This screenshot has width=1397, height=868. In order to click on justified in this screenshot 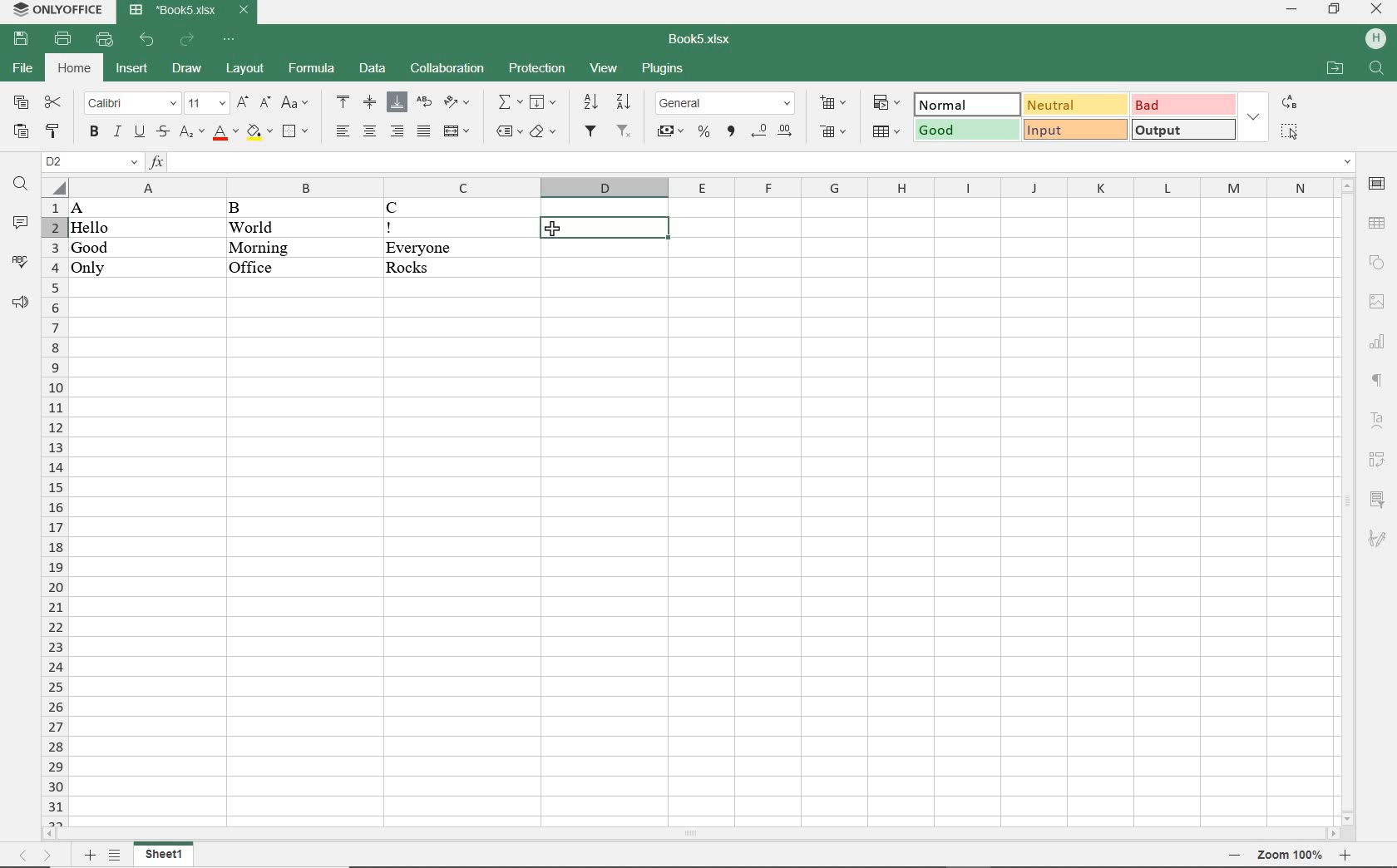, I will do `click(423, 131)`.